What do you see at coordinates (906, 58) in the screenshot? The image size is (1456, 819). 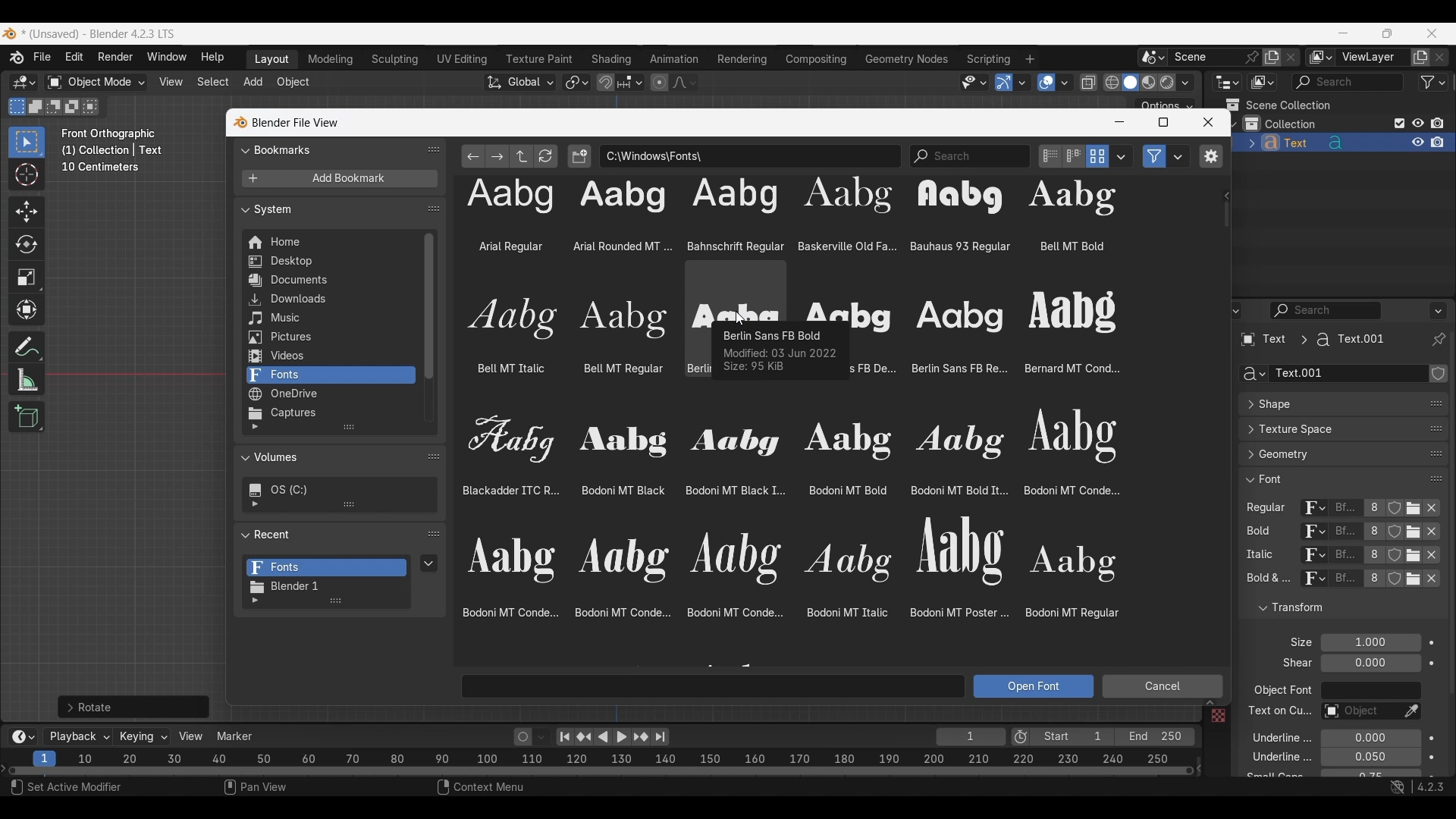 I see `Geometry nodes workspace` at bounding box center [906, 58].